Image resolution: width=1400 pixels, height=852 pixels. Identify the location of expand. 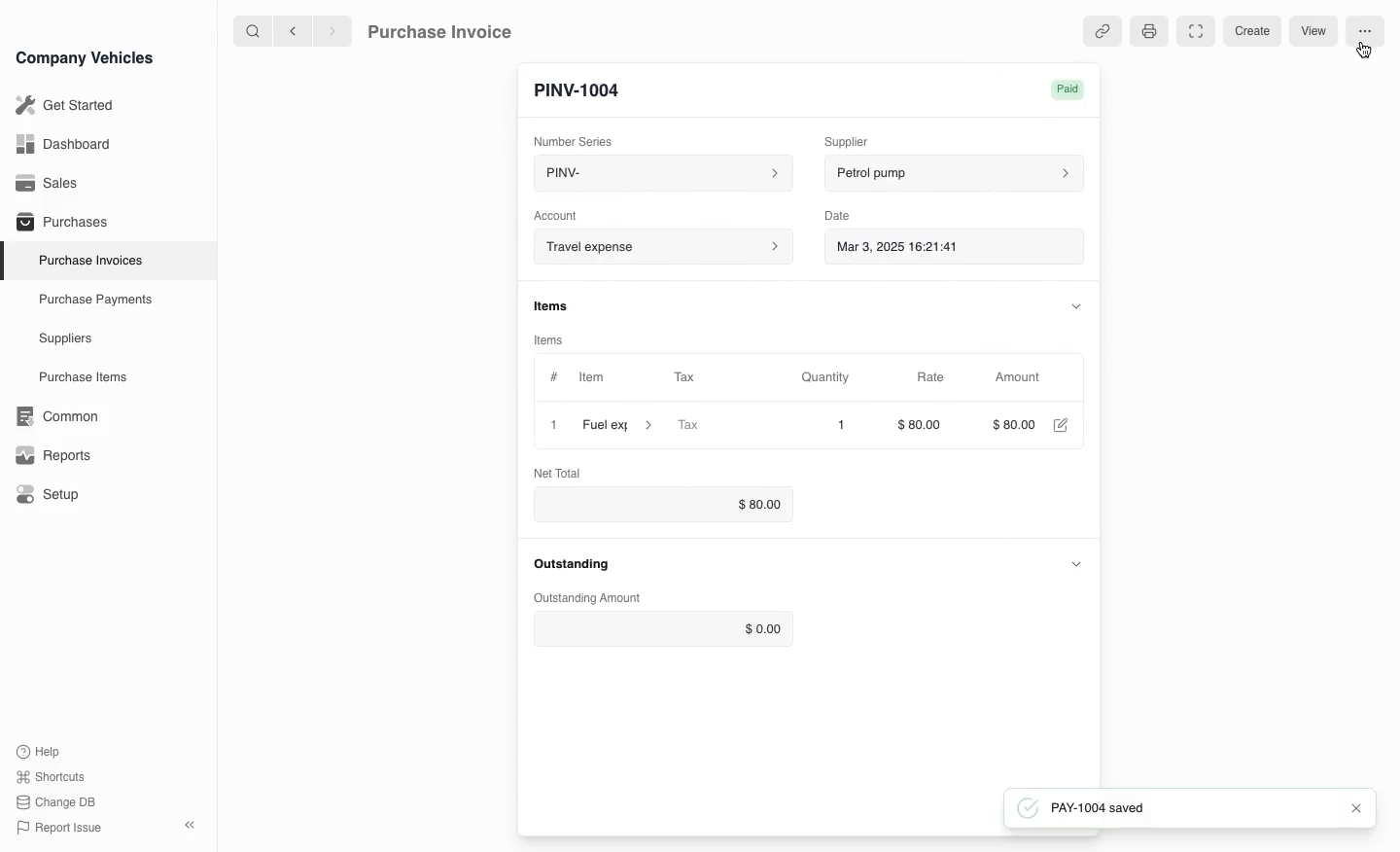
(1076, 565).